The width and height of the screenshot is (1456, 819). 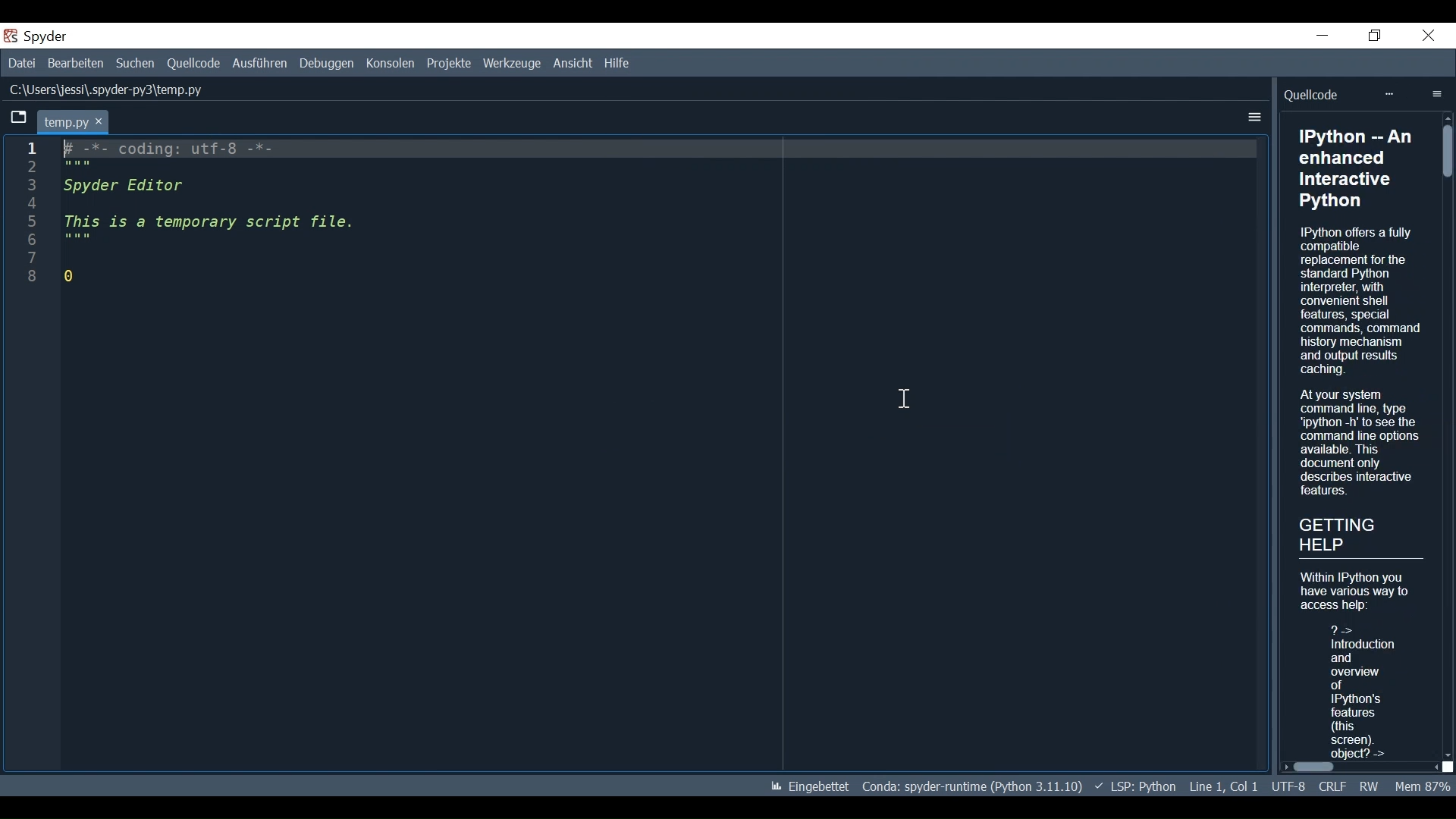 I want to click on LSP: Python , so click(x=1137, y=786).